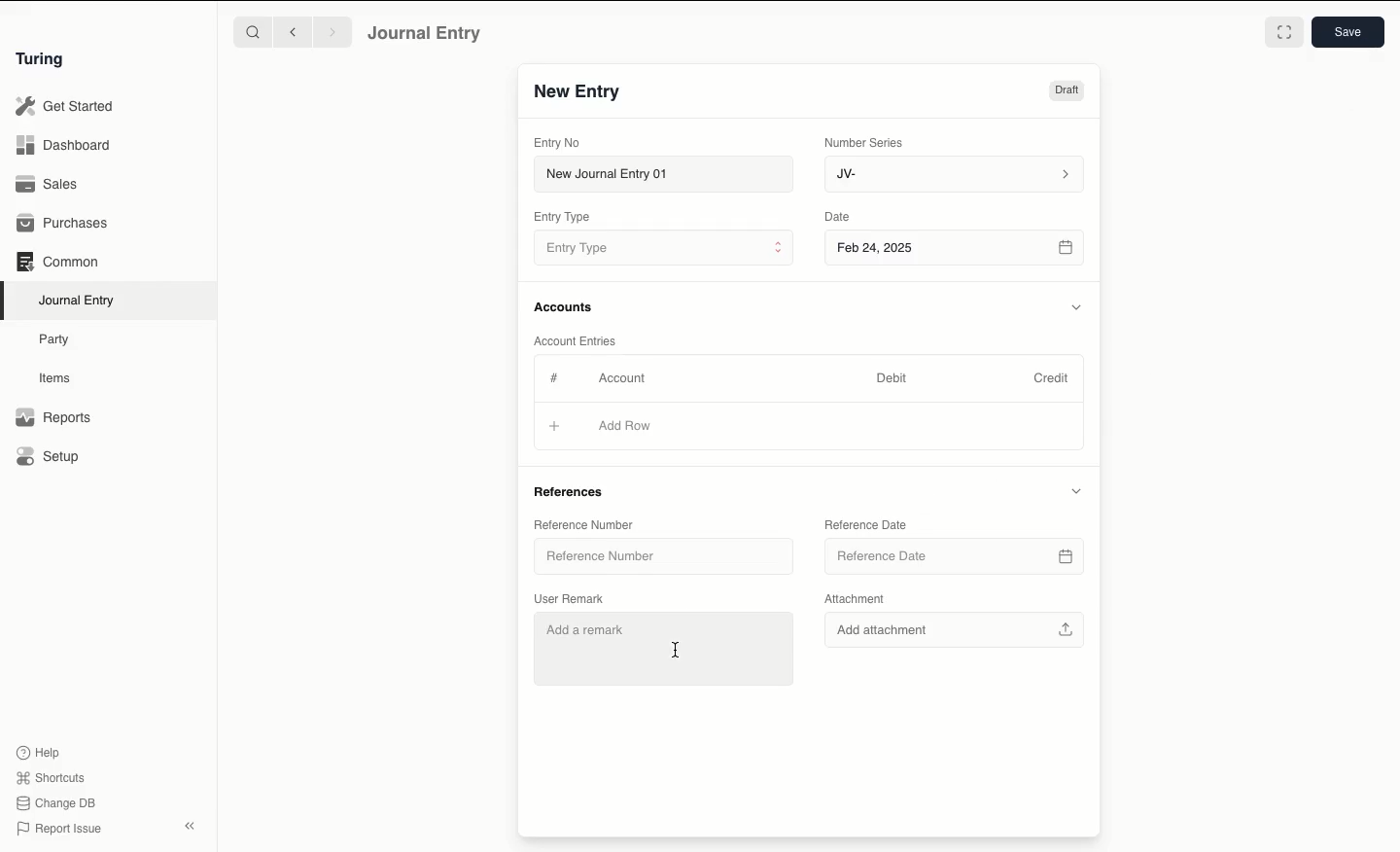 The image size is (1400, 852). What do you see at coordinates (568, 598) in the screenshot?
I see `User Remark` at bounding box center [568, 598].